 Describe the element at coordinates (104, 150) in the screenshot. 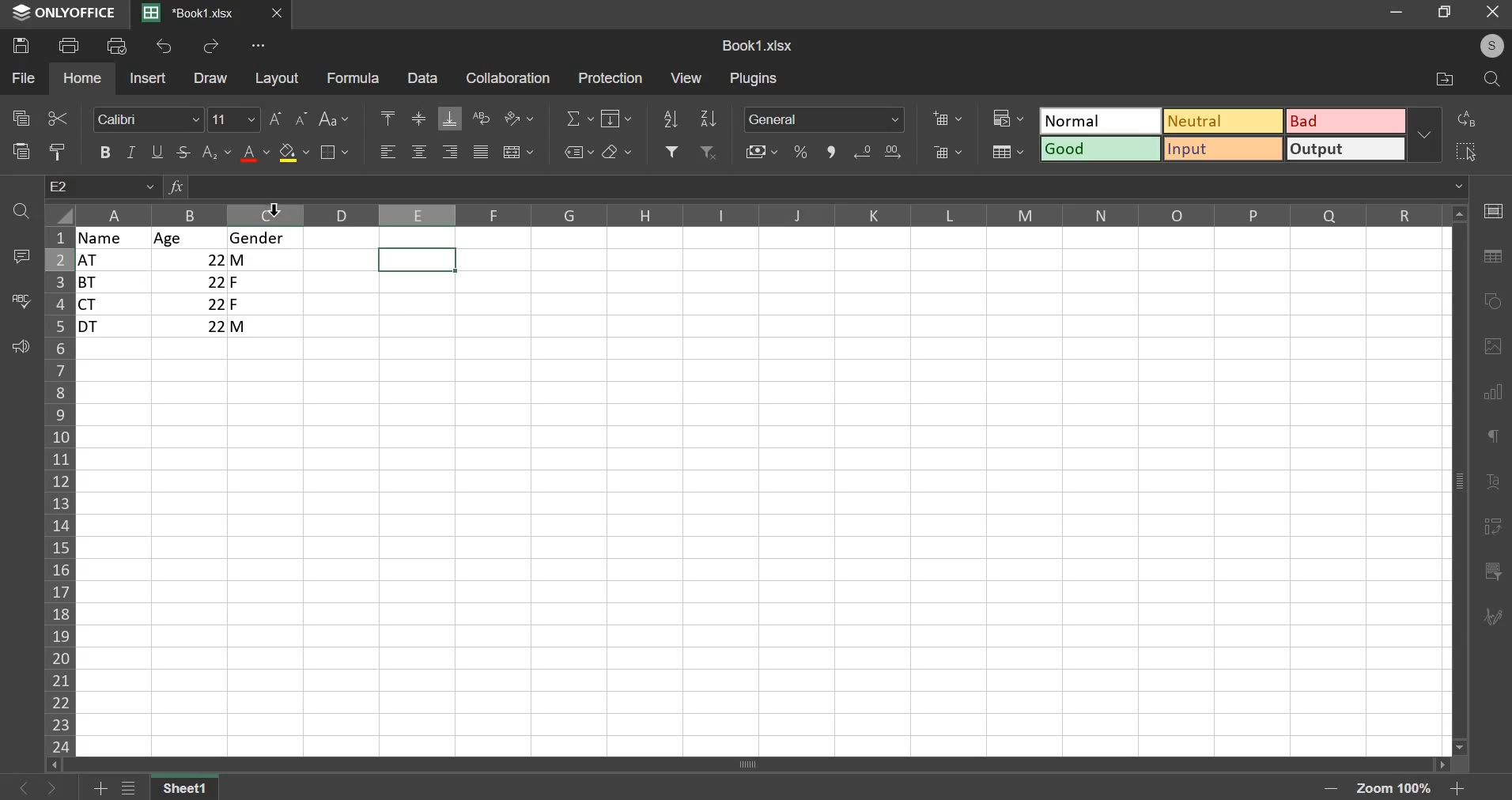

I see `bold` at that location.